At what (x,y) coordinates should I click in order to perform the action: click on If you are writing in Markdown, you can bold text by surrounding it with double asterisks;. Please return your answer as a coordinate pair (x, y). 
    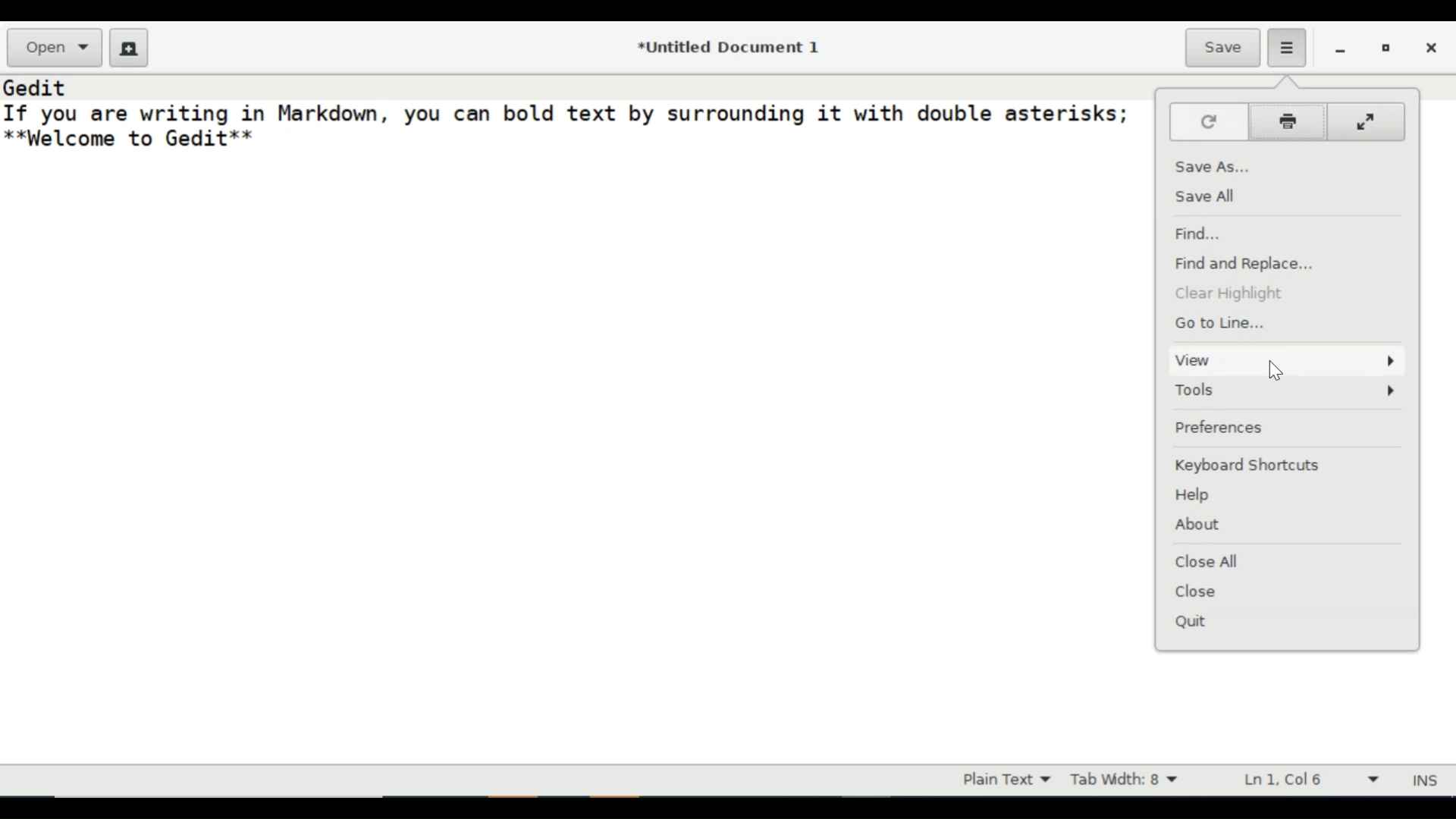
    Looking at the image, I should click on (566, 113).